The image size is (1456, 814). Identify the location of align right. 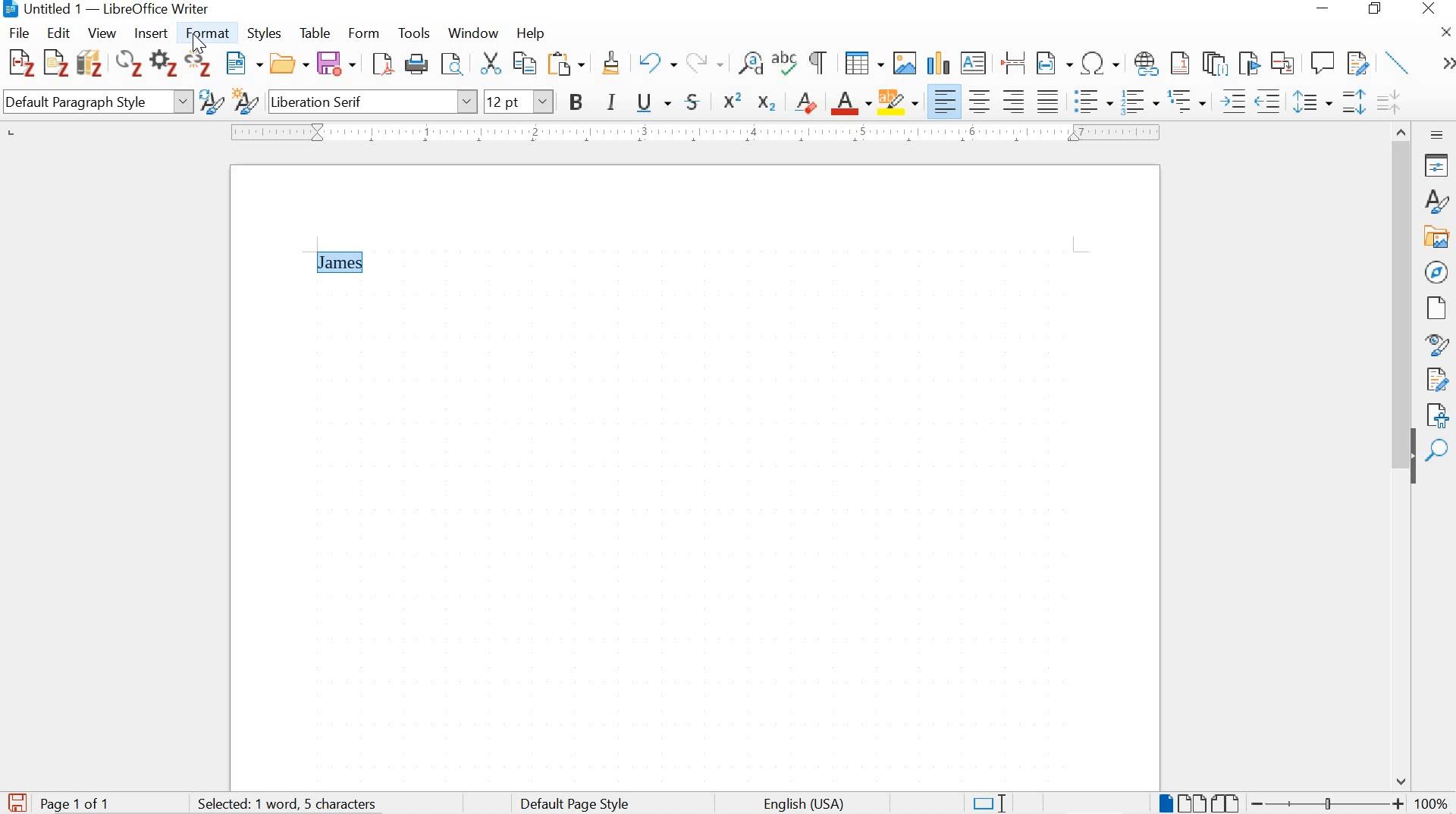
(1016, 101).